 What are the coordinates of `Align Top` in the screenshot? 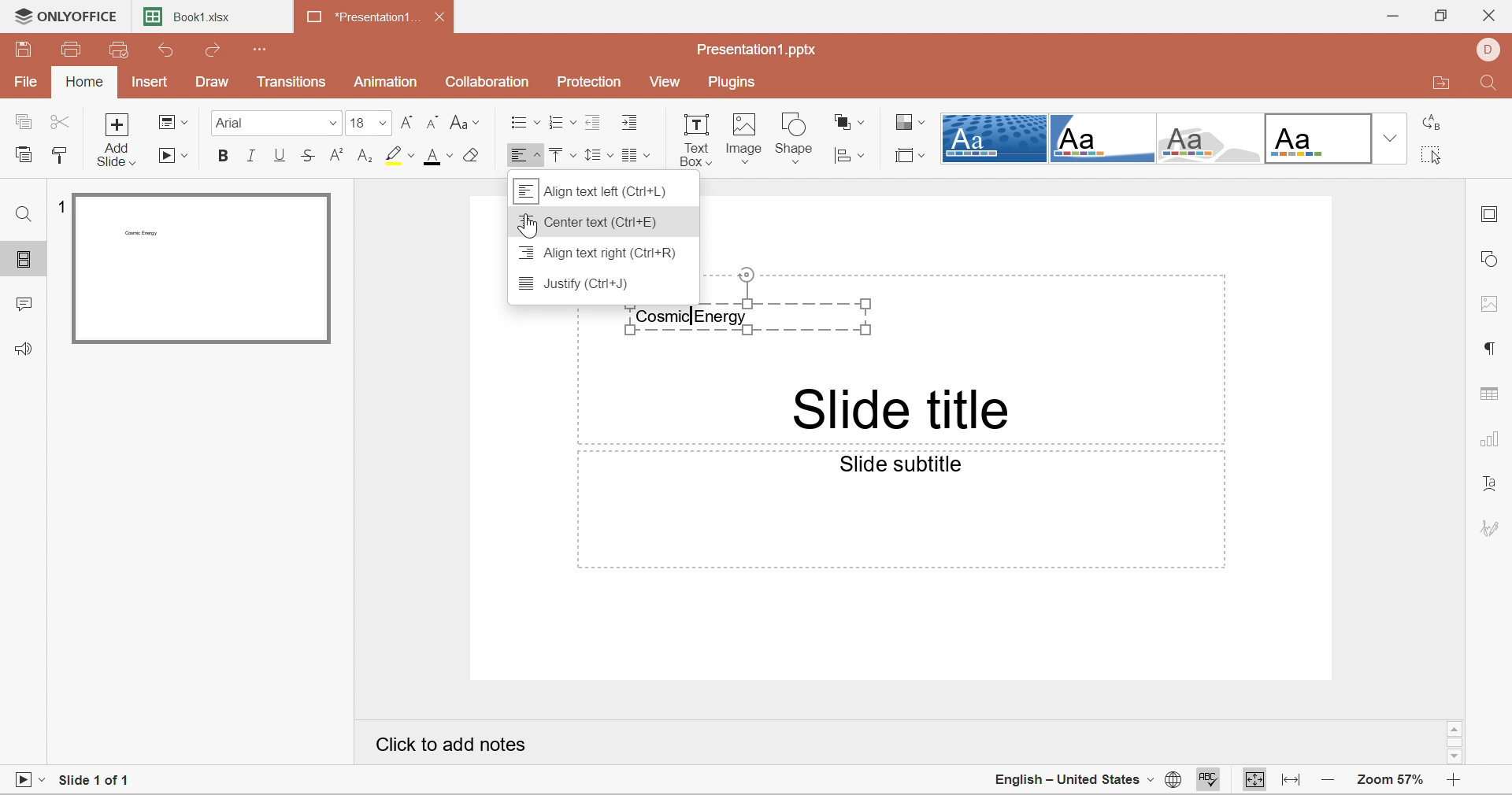 It's located at (559, 156).